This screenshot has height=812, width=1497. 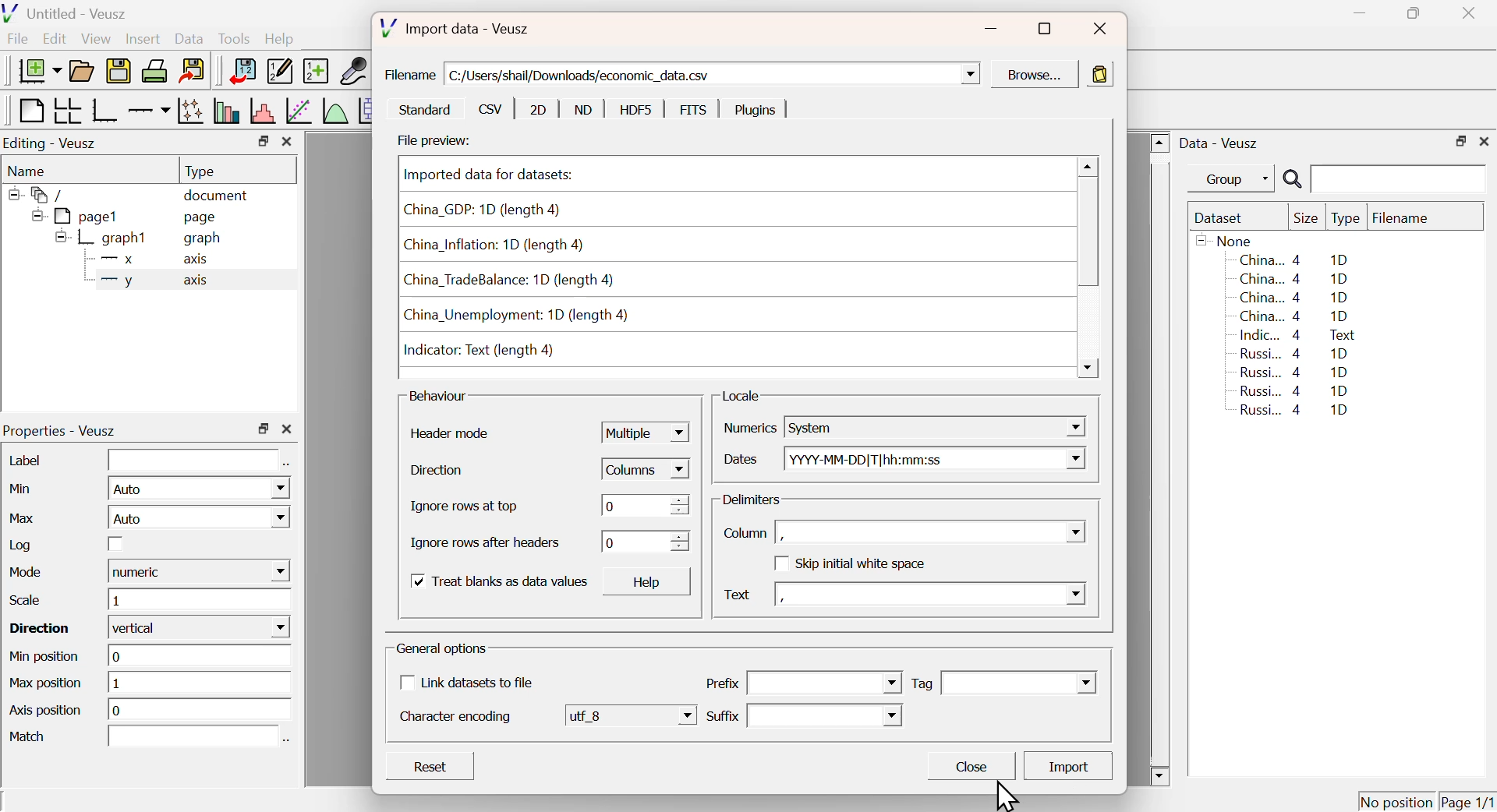 What do you see at coordinates (1222, 144) in the screenshot?
I see `Data - Veusz` at bounding box center [1222, 144].